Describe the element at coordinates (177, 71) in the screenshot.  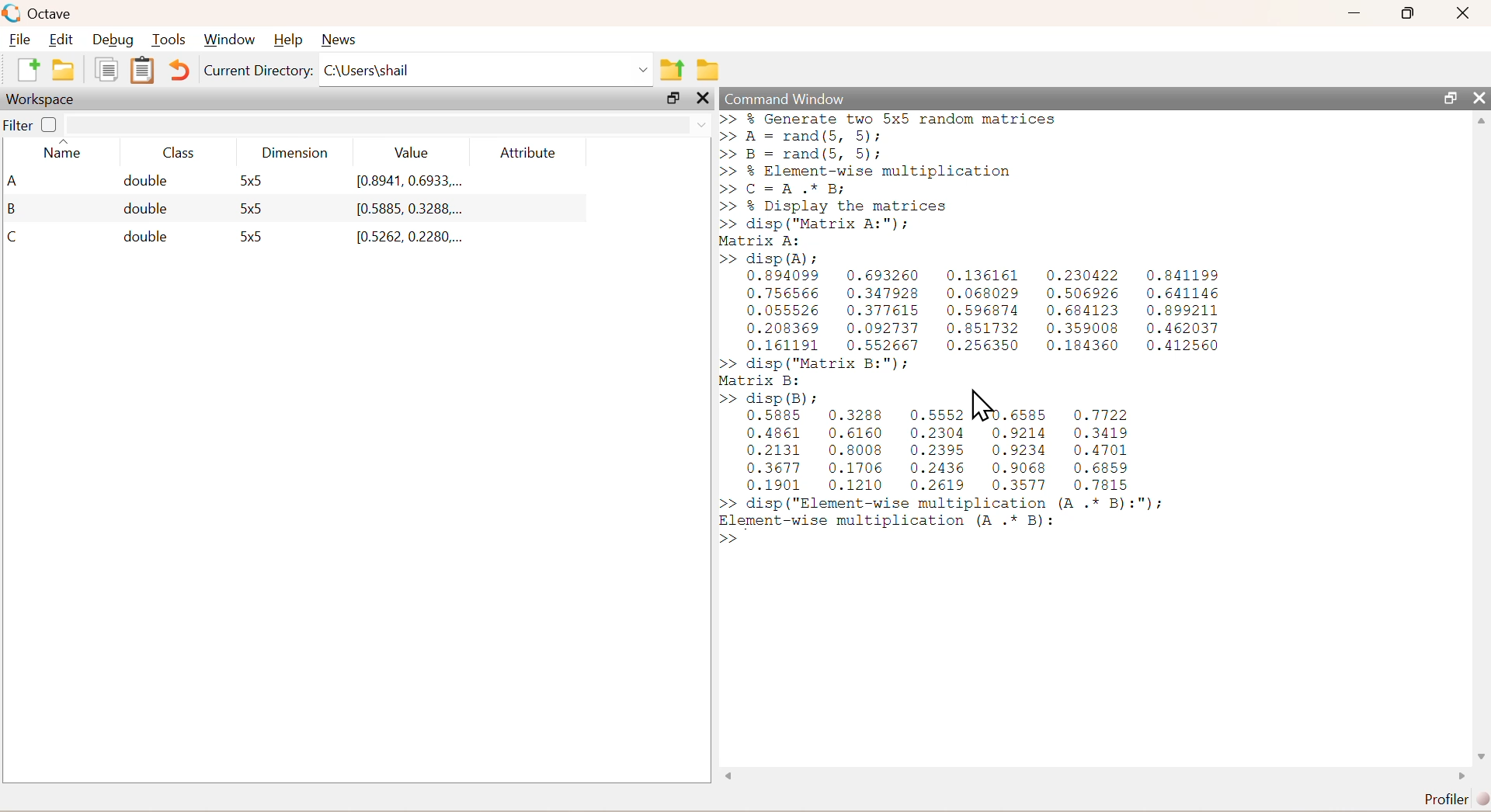
I see `Undo` at that location.